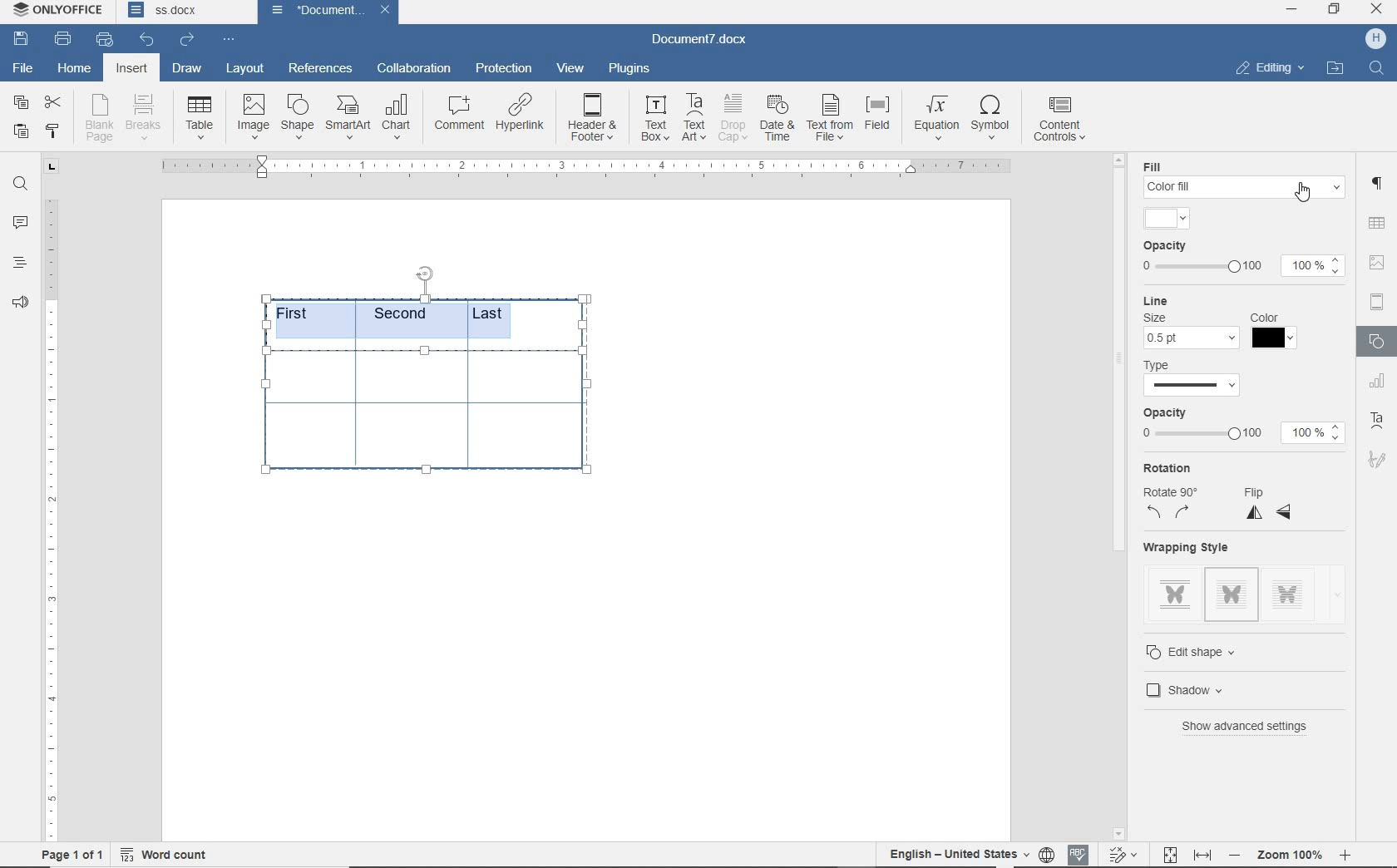 The width and height of the screenshot is (1397, 868). What do you see at coordinates (348, 119) in the screenshot?
I see `smart art` at bounding box center [348, 119].